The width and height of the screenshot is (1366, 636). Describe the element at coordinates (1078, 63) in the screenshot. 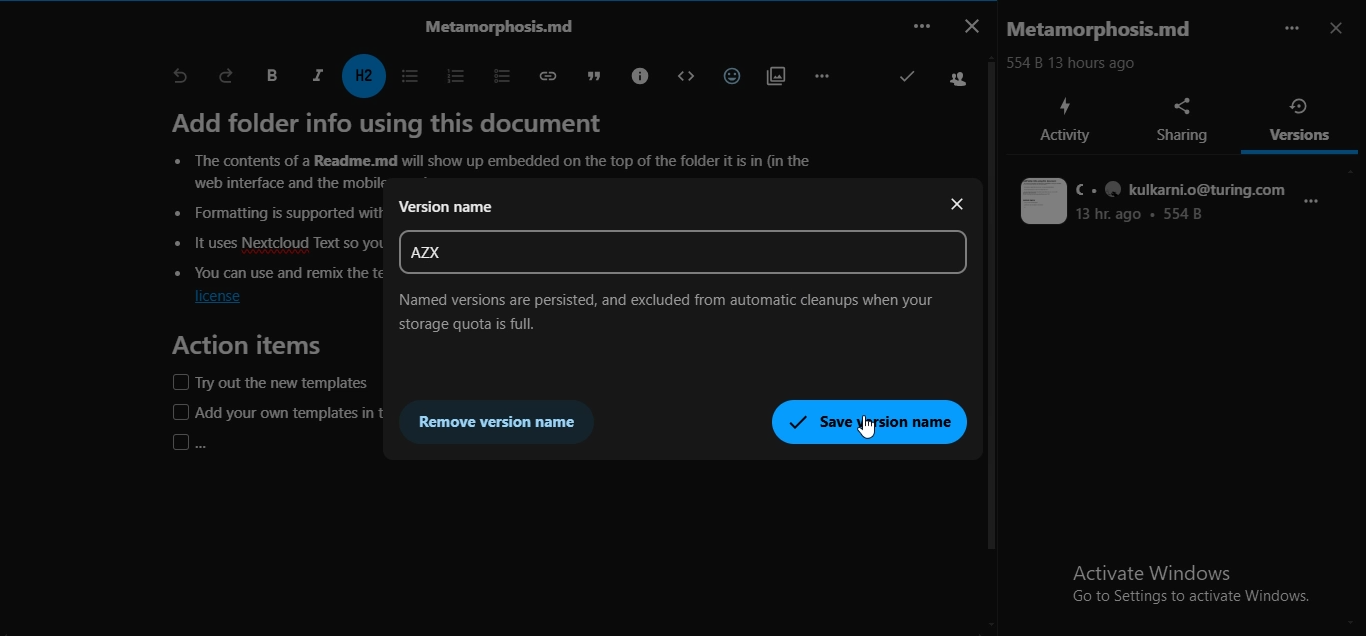

I see `554 B 13 hours ago` at that location.